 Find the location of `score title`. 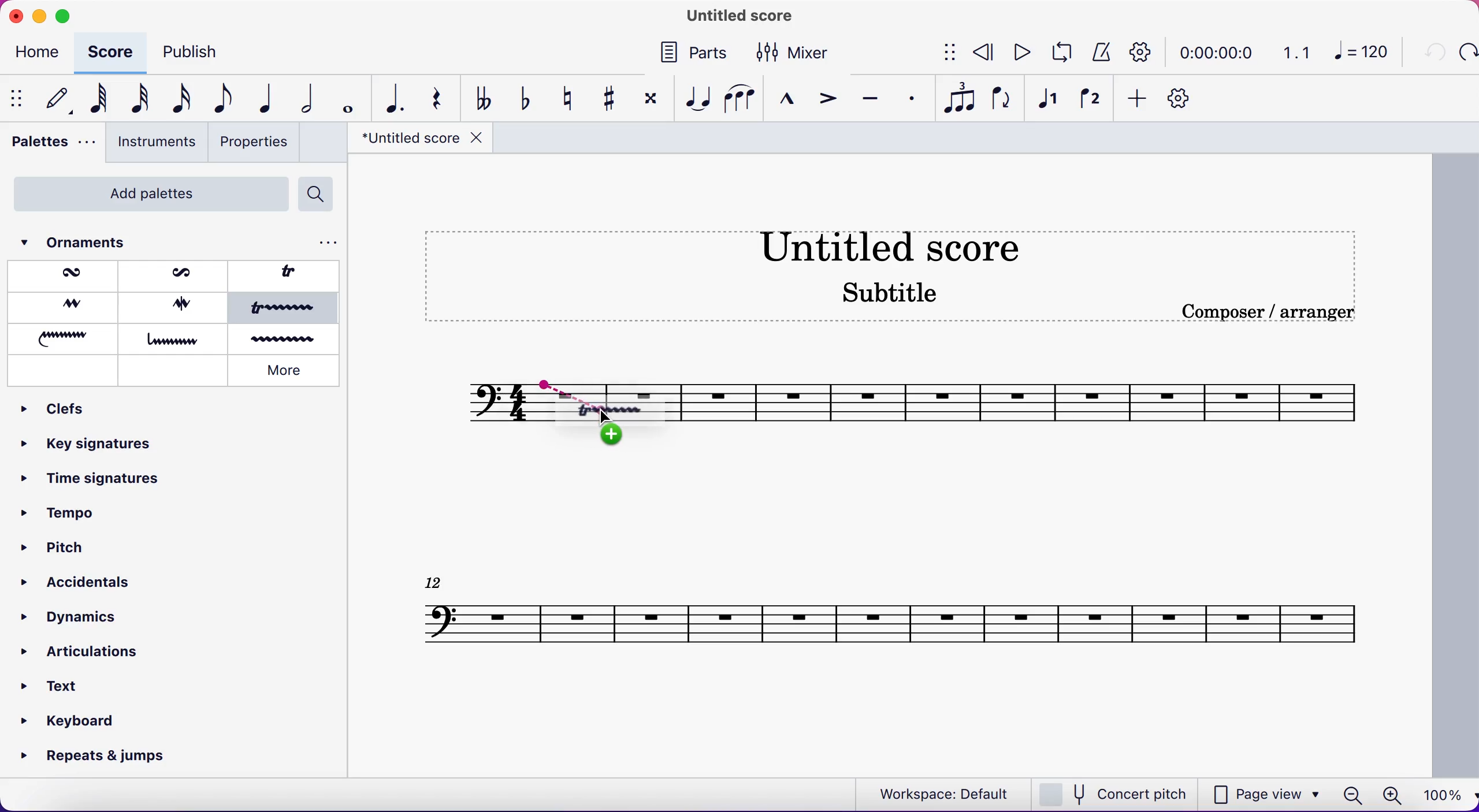

score title is located at coordinates (906, 246).